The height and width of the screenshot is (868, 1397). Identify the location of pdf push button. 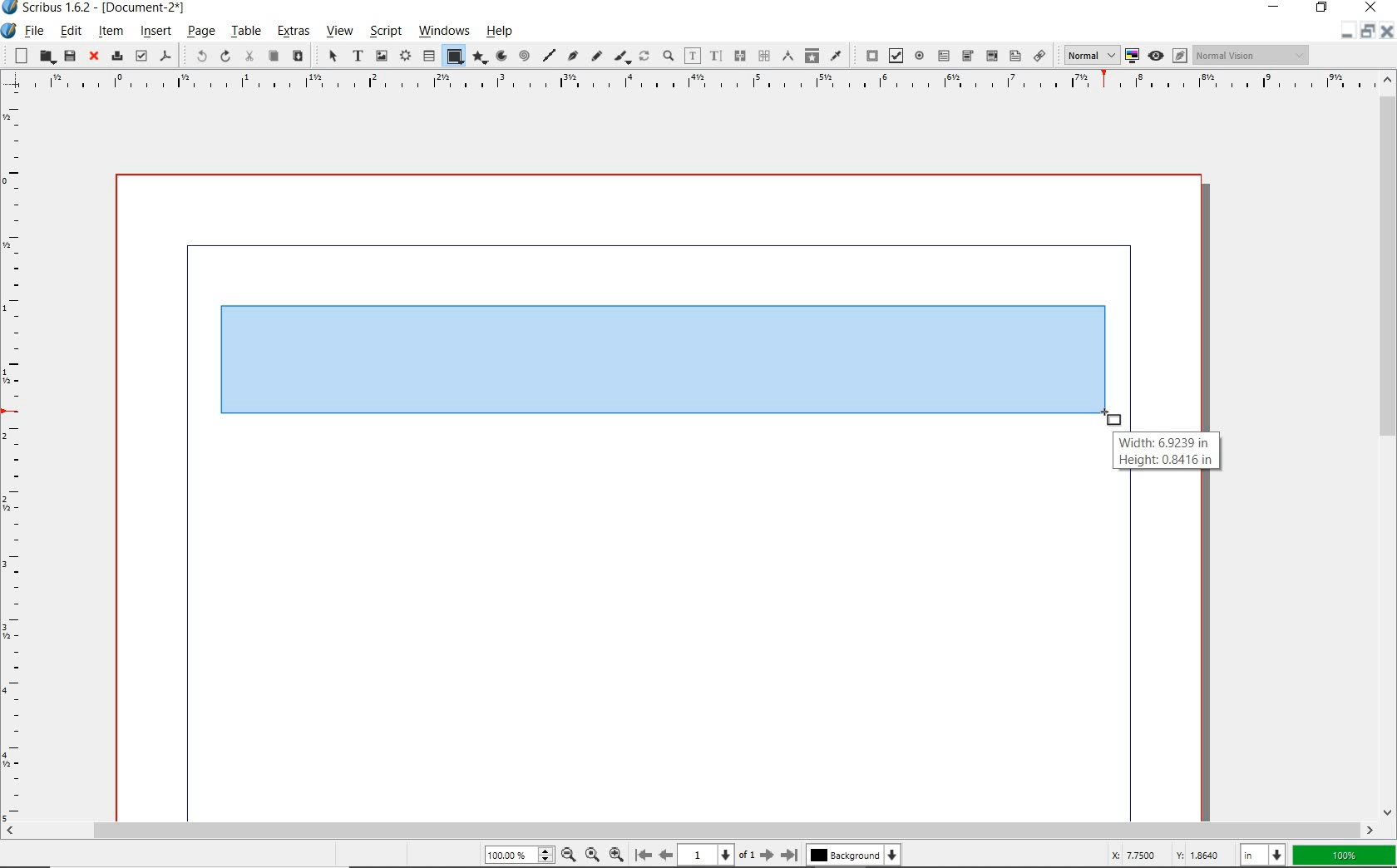
(867, 55).